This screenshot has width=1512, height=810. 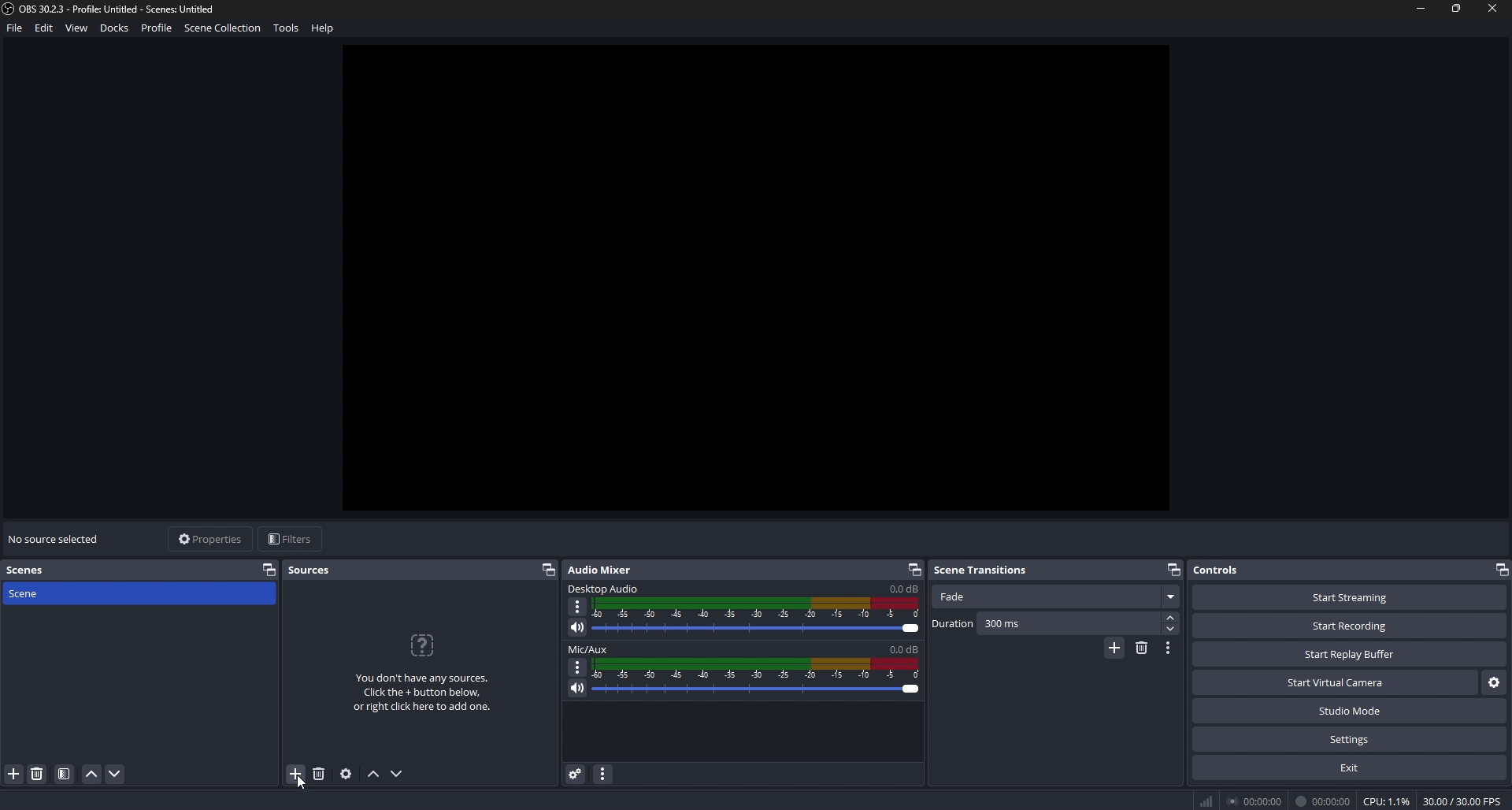 What do you see at coordinates (1254, 801) in the screenshot?
I see `stream duration` at bounding box center [1254, 801].